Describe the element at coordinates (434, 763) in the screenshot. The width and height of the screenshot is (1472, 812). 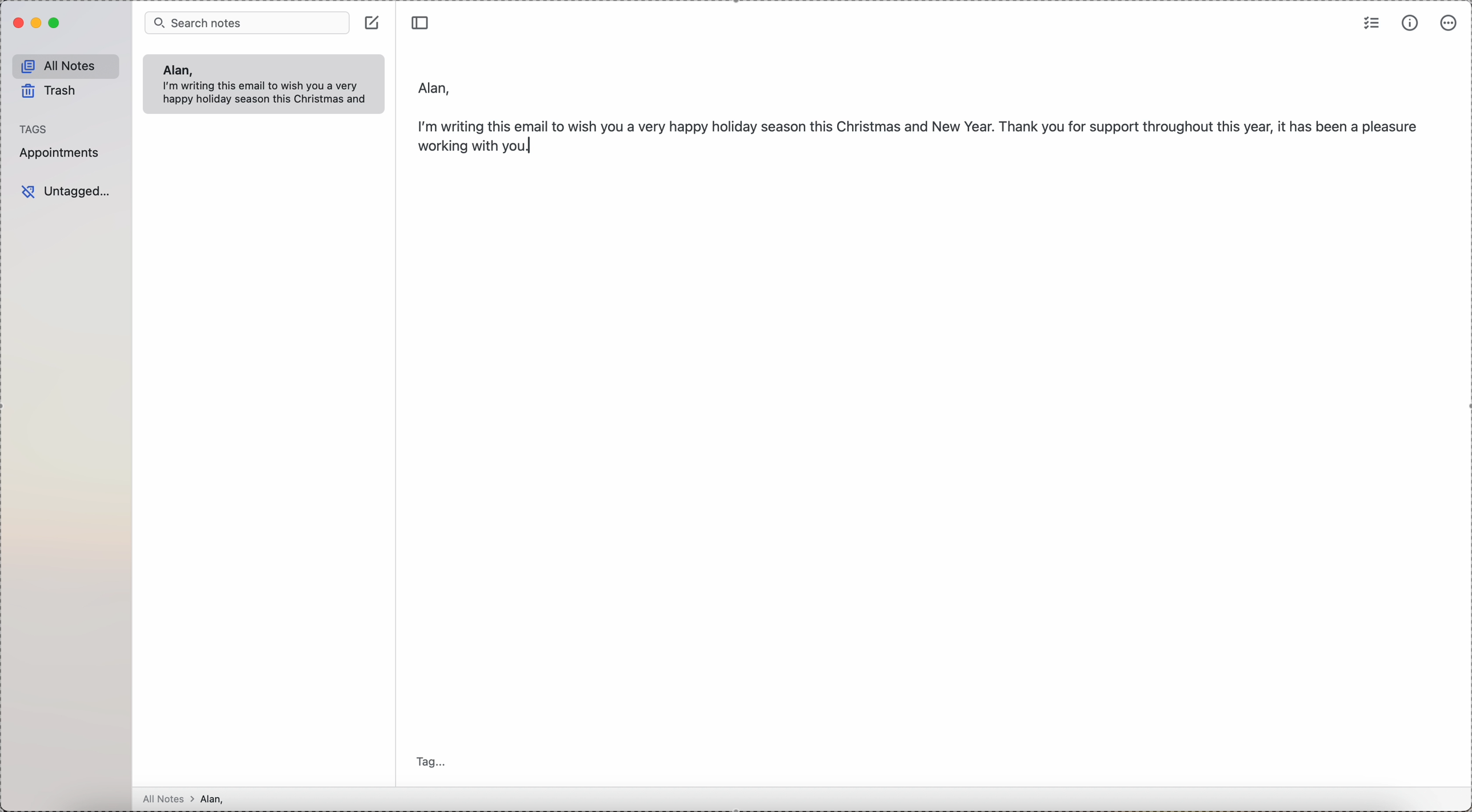
I see `tag` at that location.